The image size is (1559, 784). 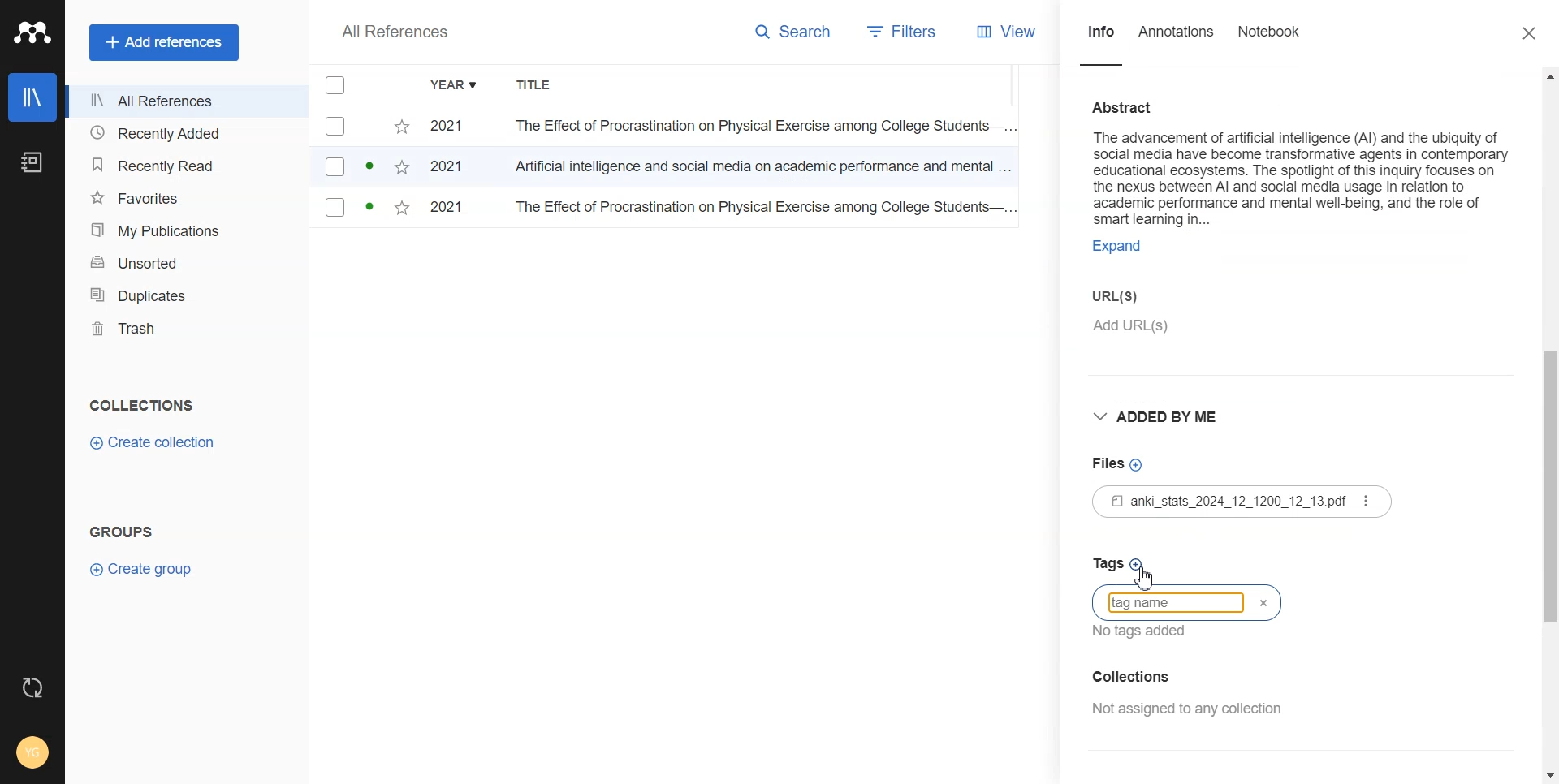 I want to click on Create group, so click(x=140, y=569).